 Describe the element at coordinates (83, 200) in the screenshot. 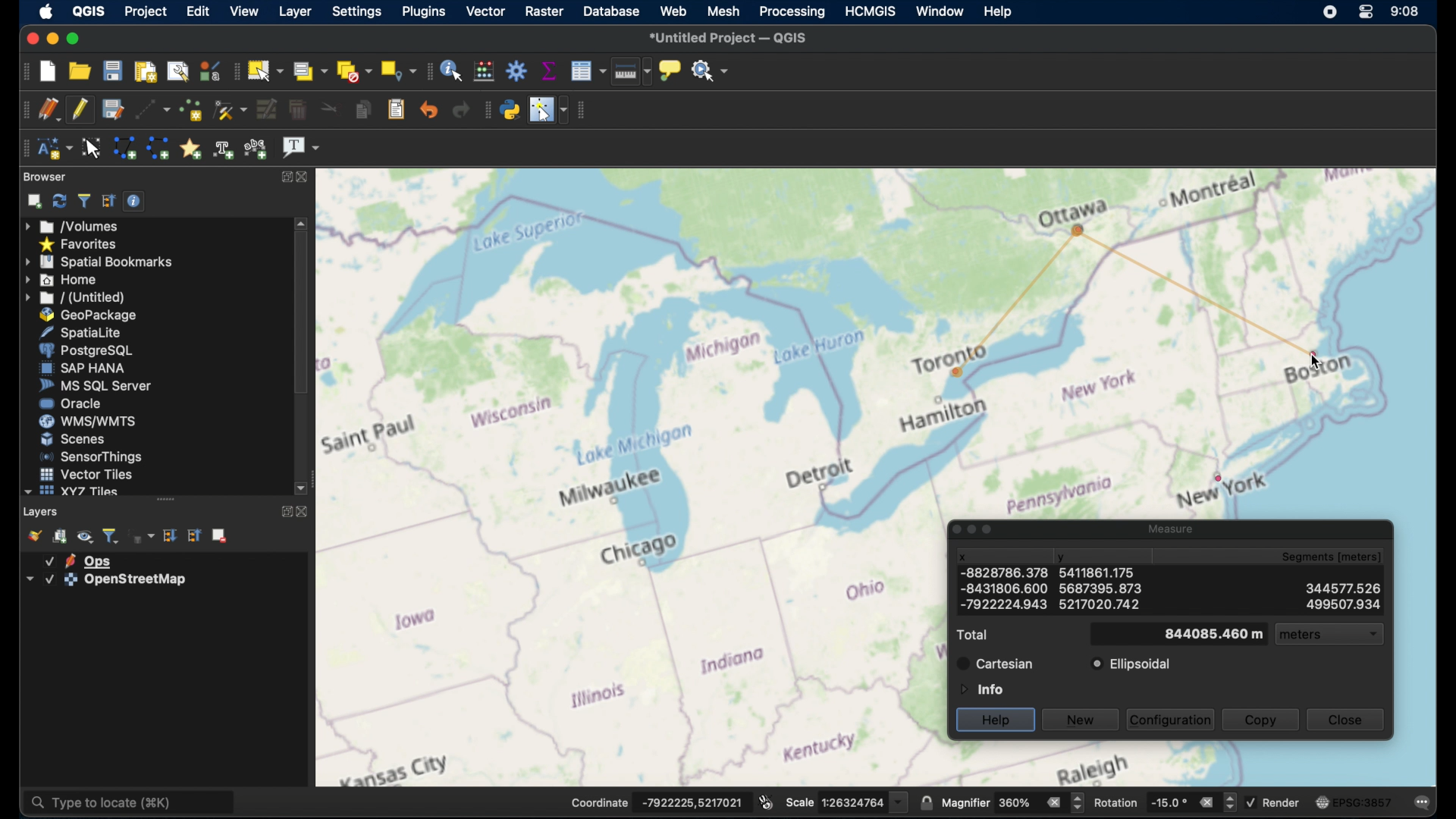

I see `filter browser` at that location.